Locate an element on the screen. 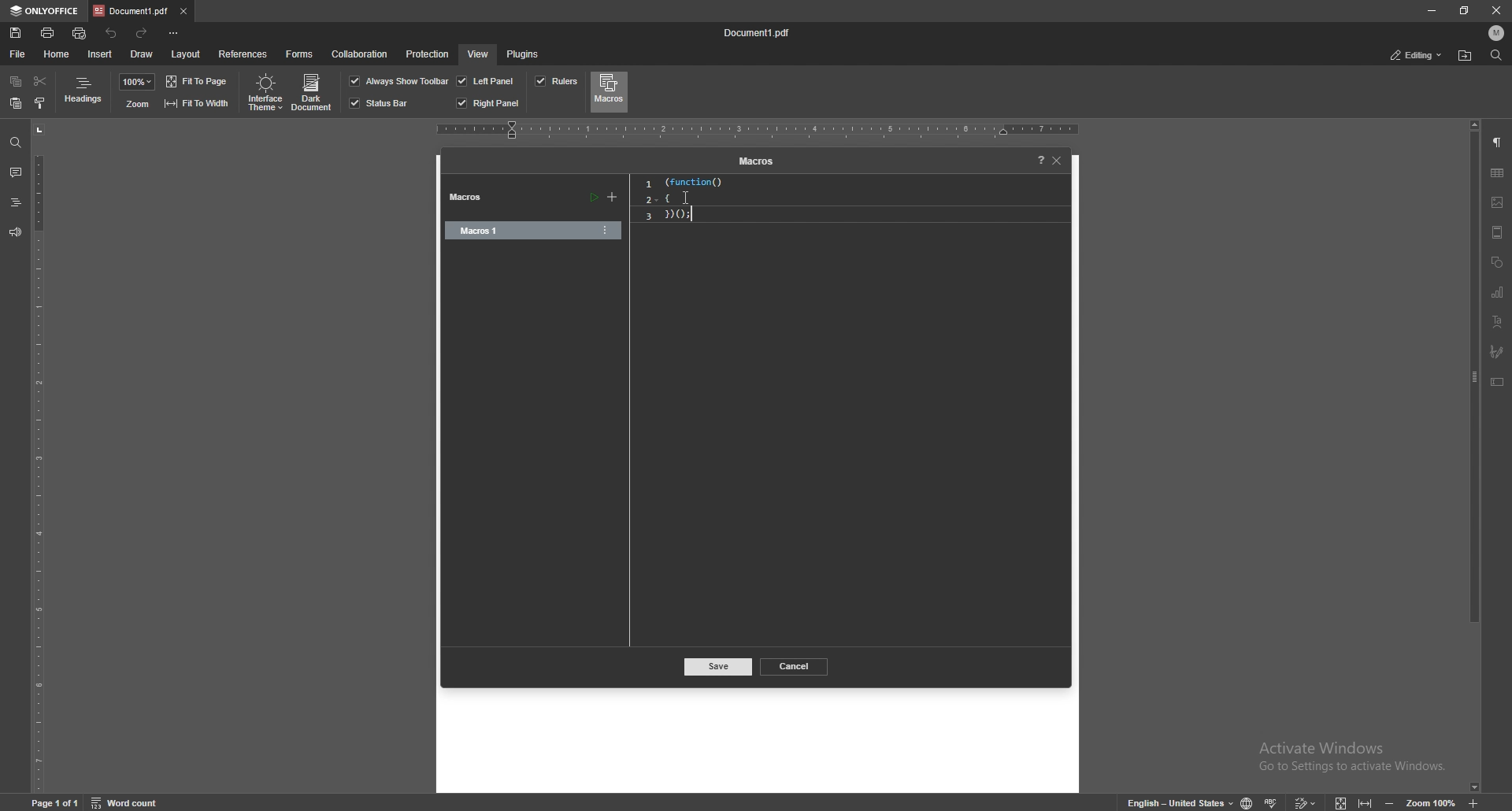 The width and height of the screenshot is (1512, 811). chart is located at coordinates (1497, 292).